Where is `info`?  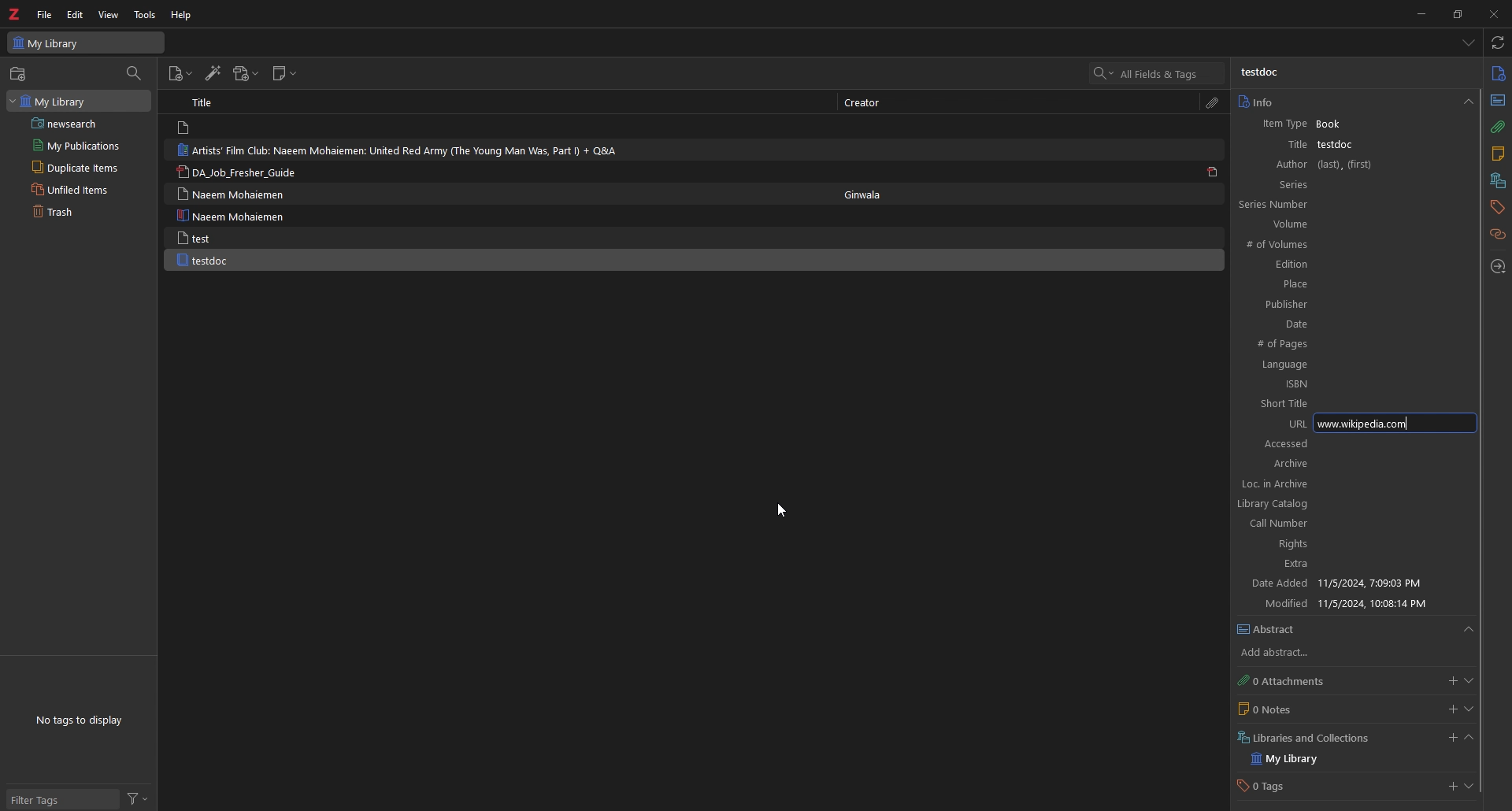 info is located at coordinates (1354, 102).